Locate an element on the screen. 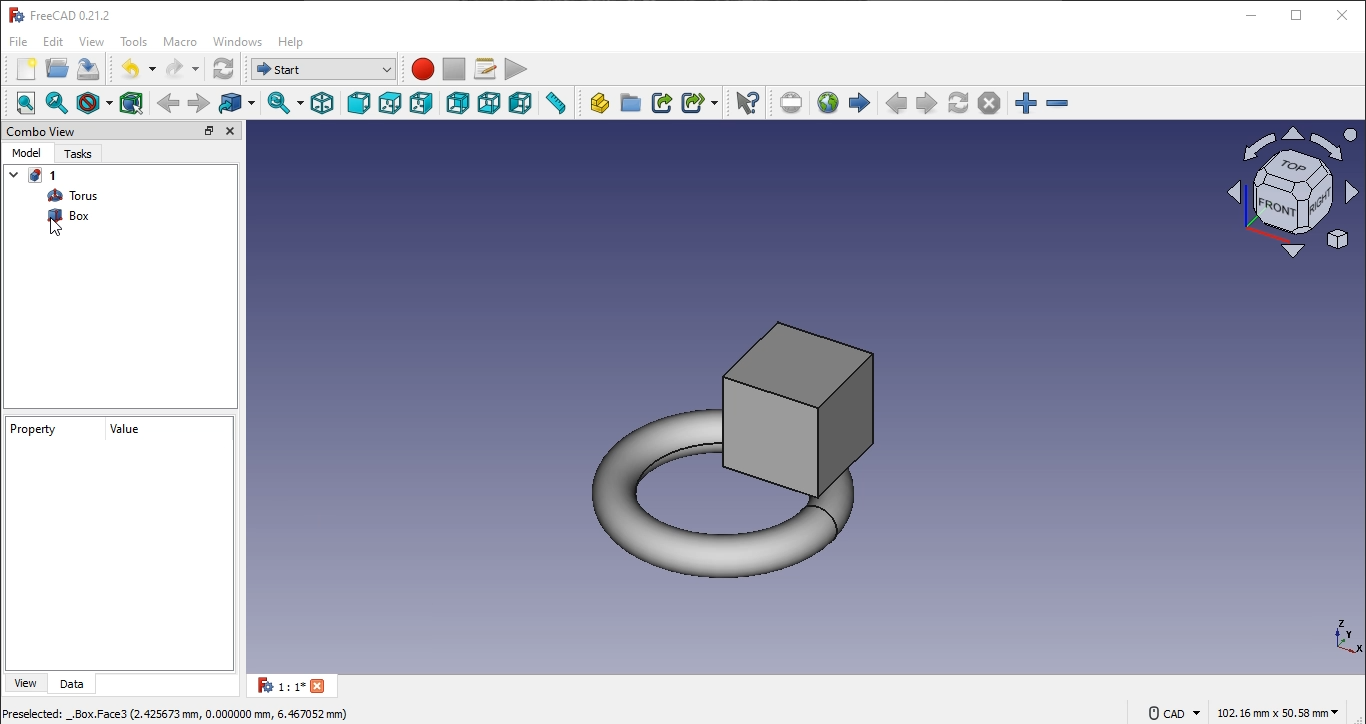 This screenshot has width=1366, height=724. measure distance is located at coordinates (556, 104).